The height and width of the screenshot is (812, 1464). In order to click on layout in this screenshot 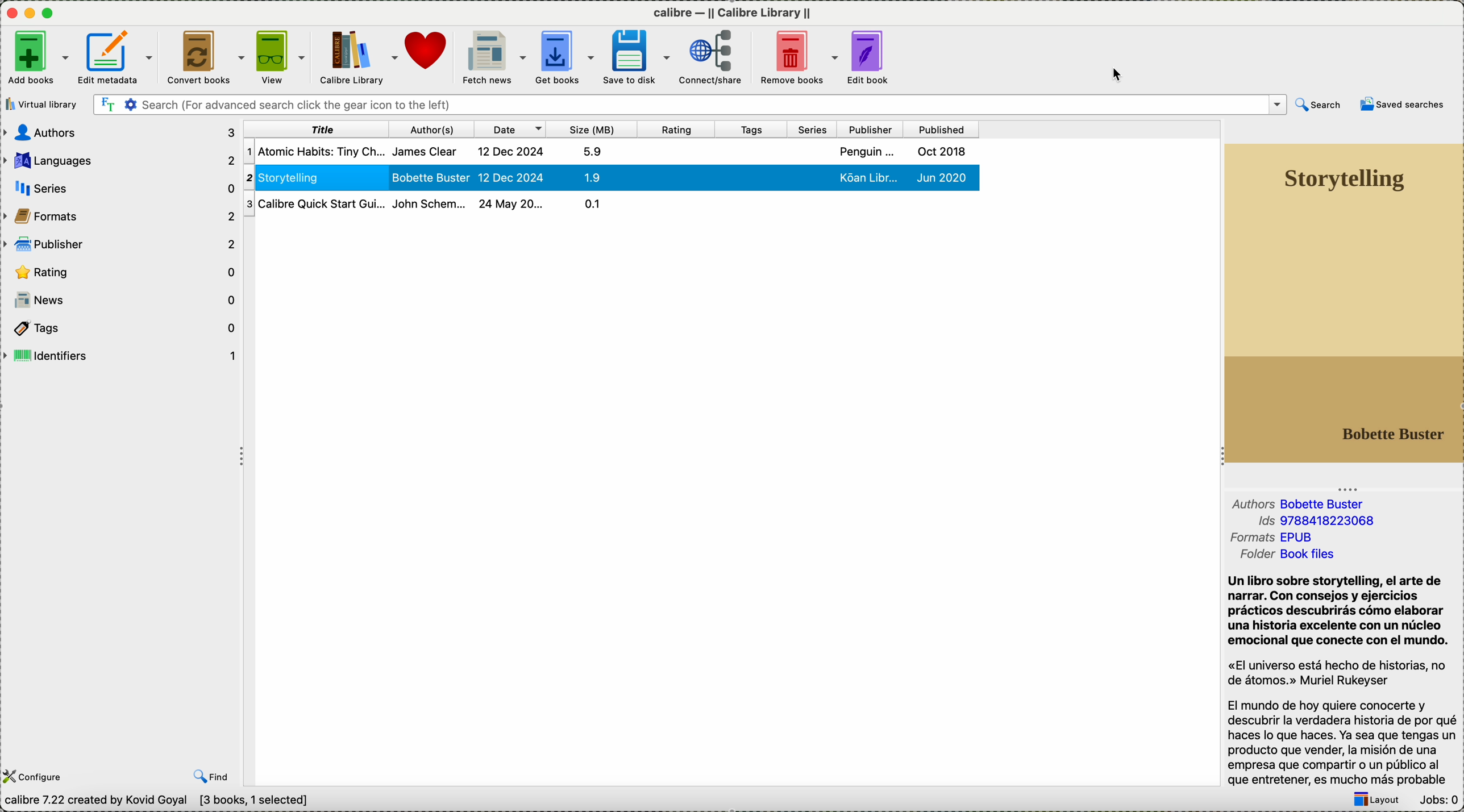, I will do `click(1373, 799)`.